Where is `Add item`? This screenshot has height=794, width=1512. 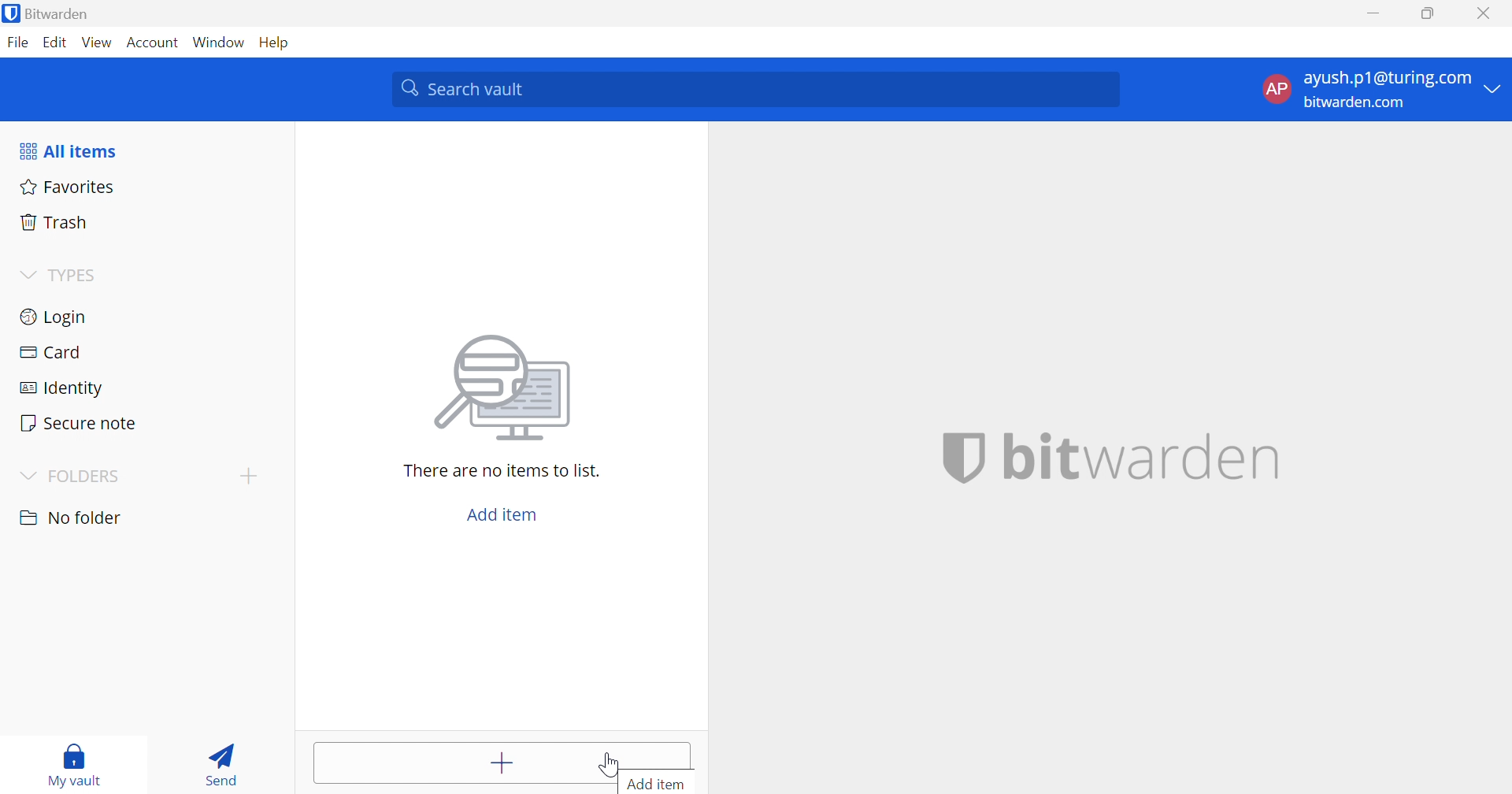
Add item is located at coordinates (498, 514).